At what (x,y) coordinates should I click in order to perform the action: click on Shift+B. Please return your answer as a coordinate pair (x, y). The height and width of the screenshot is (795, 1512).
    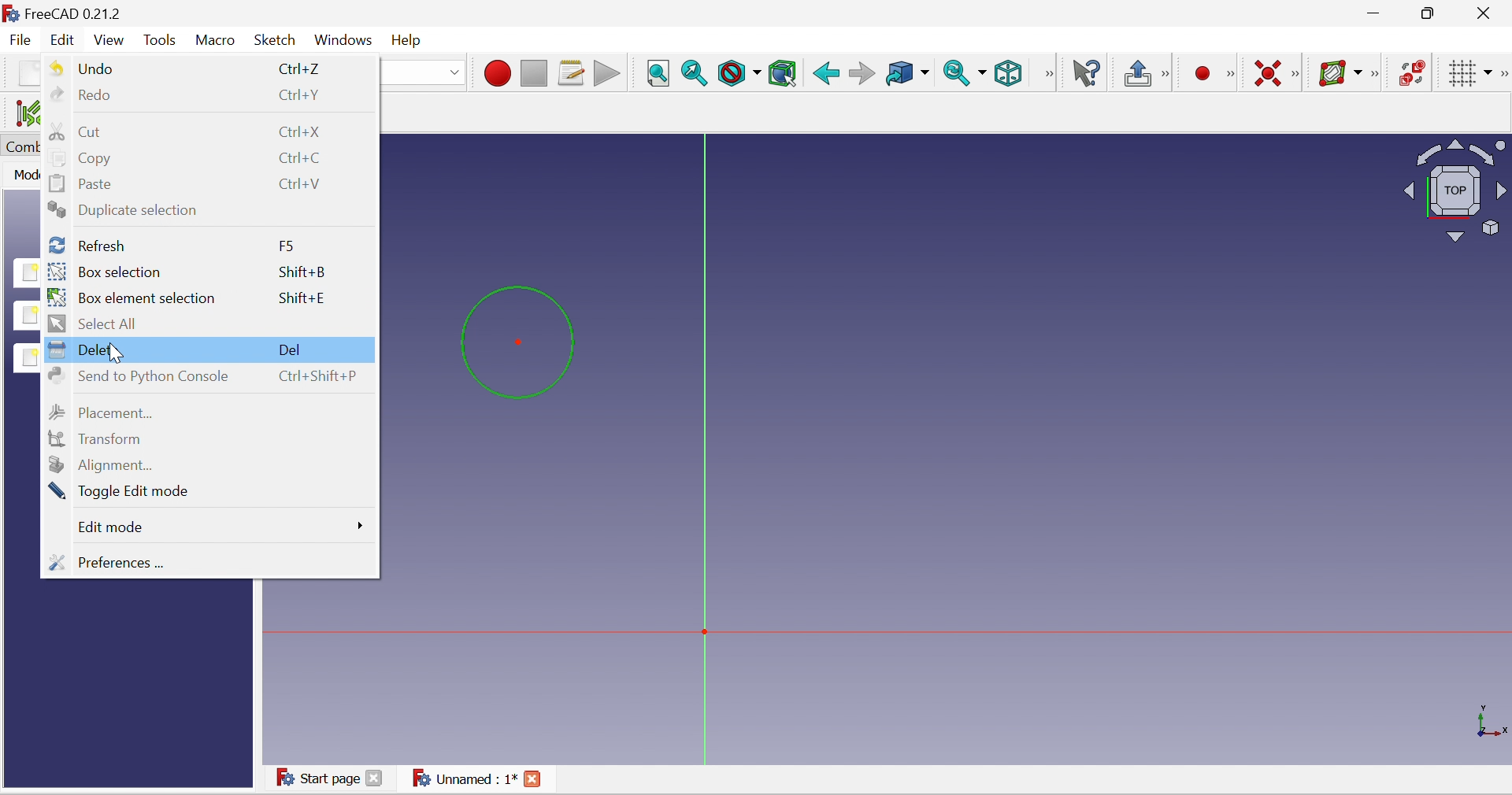
    Looking at the image, I should click on (301, 275).